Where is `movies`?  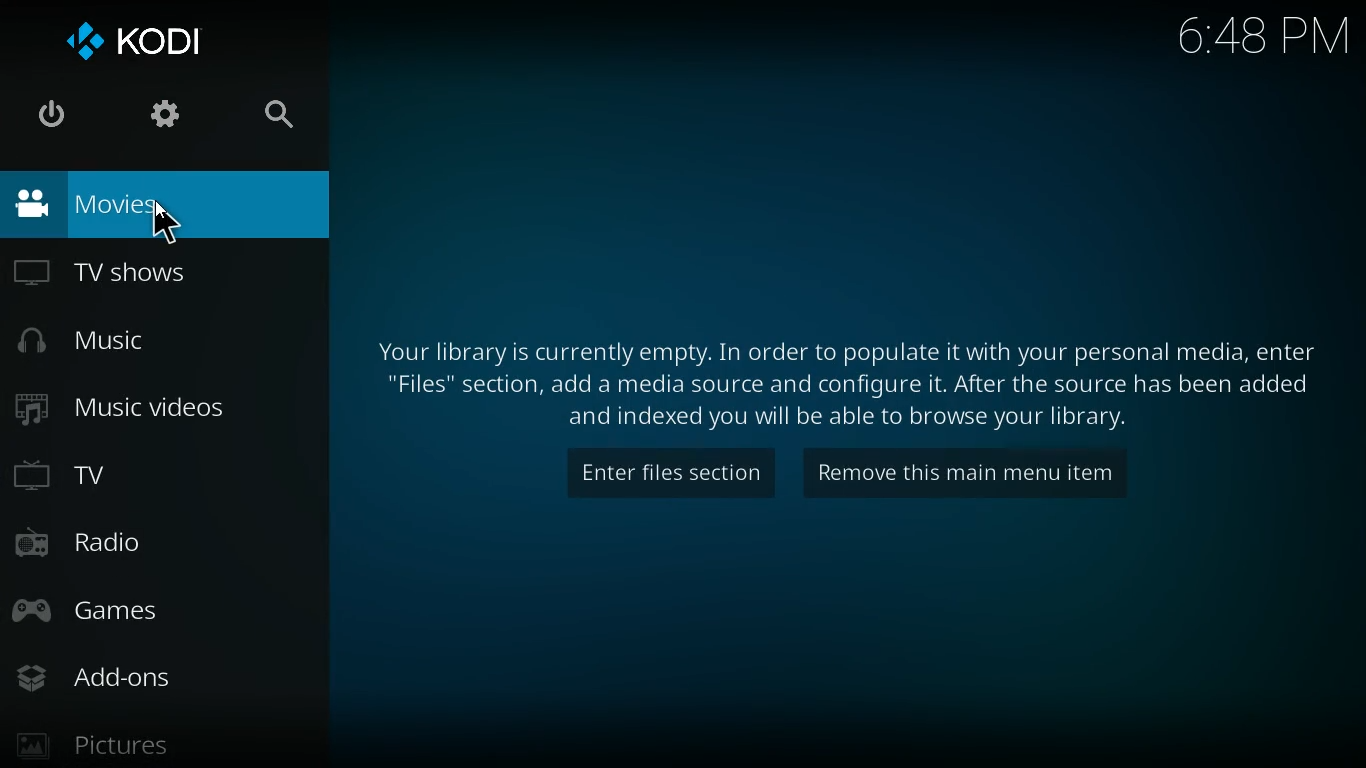 movies is located at coordinates (157, 206).